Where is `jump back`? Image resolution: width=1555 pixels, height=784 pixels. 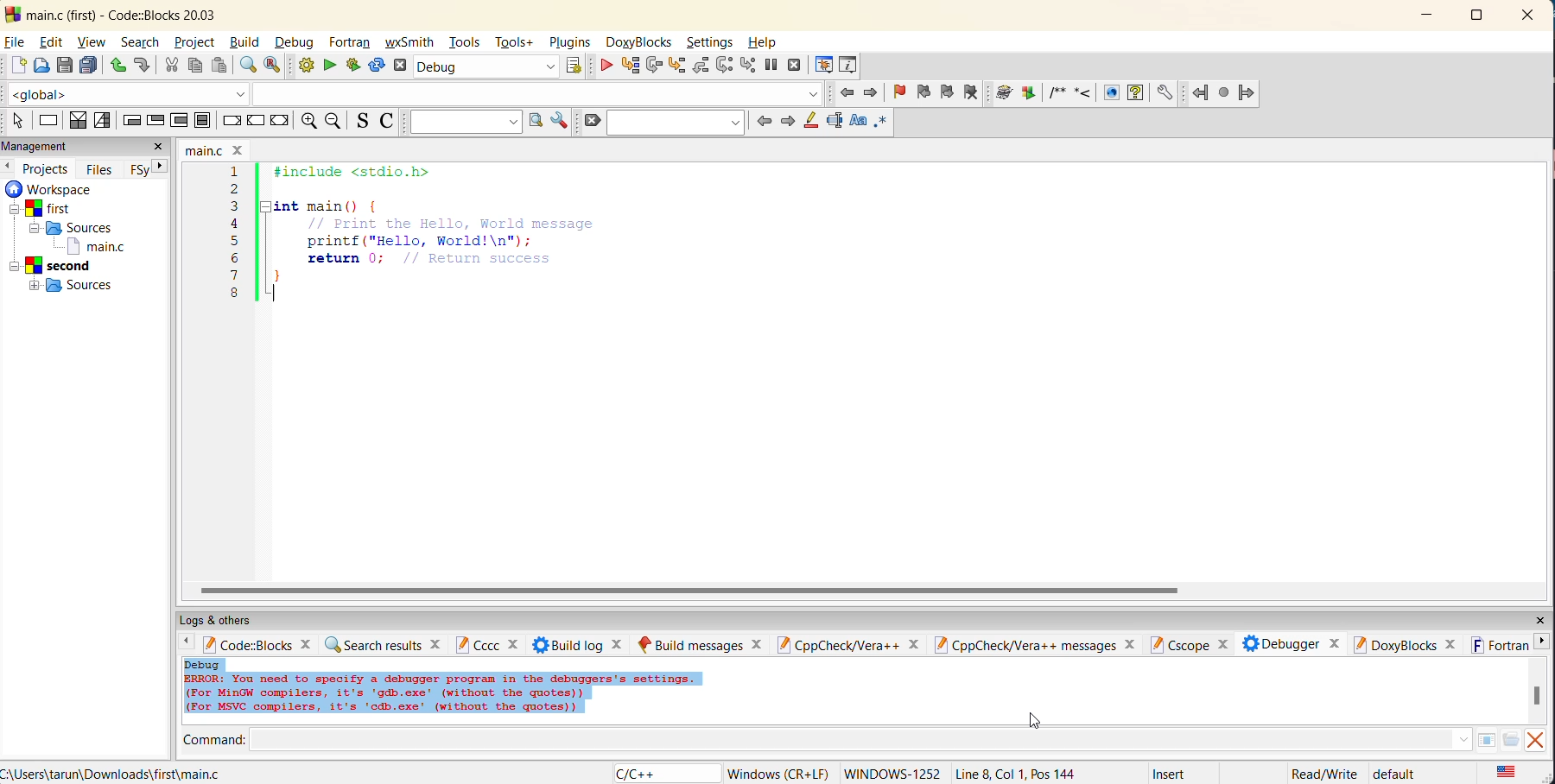 jump back is located at coordinates (844, 94).